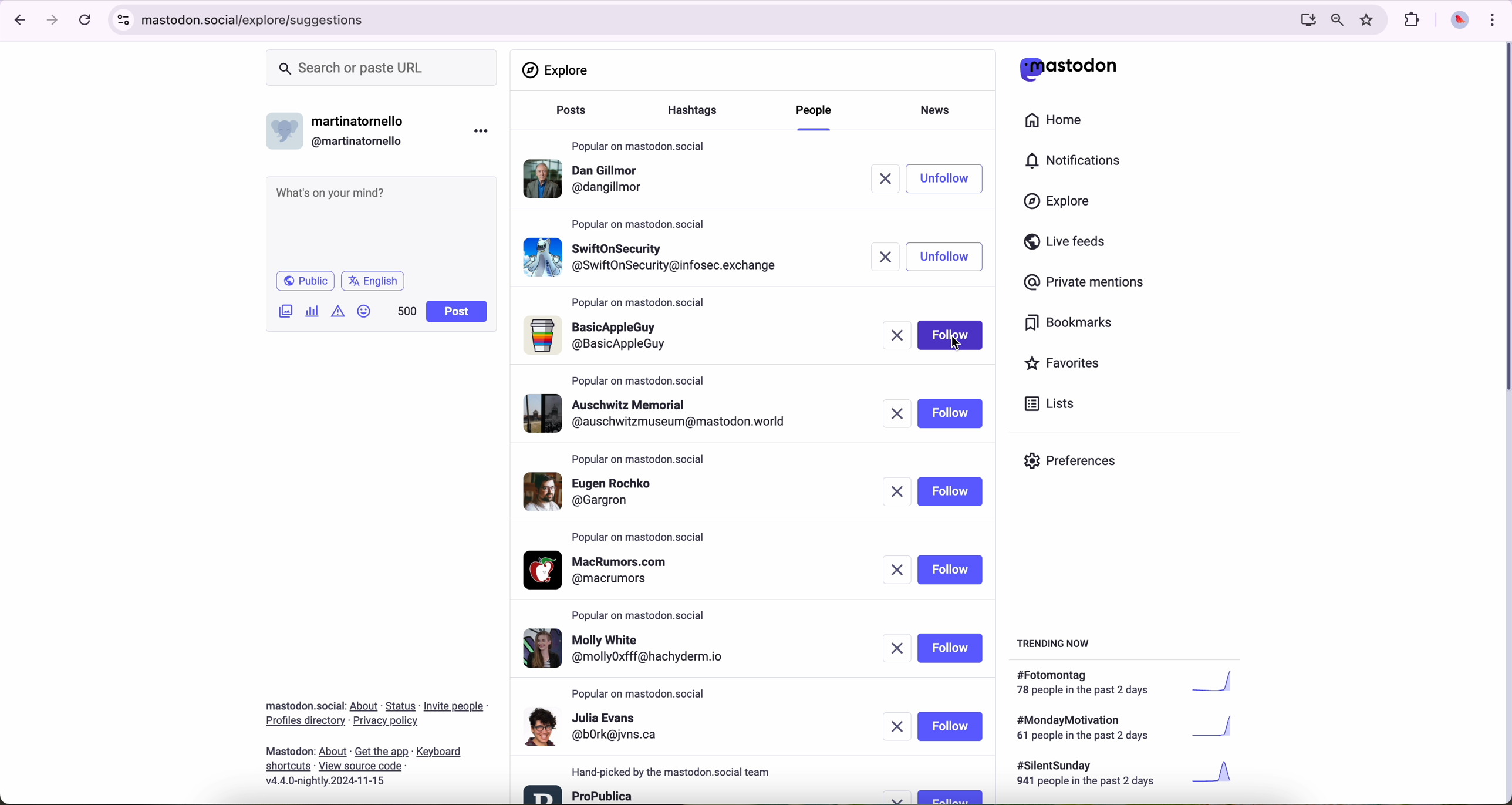  What do you see at coordinates (1060, 123) in the screenshot?
I see `home` at bounding box center [1060, 123].